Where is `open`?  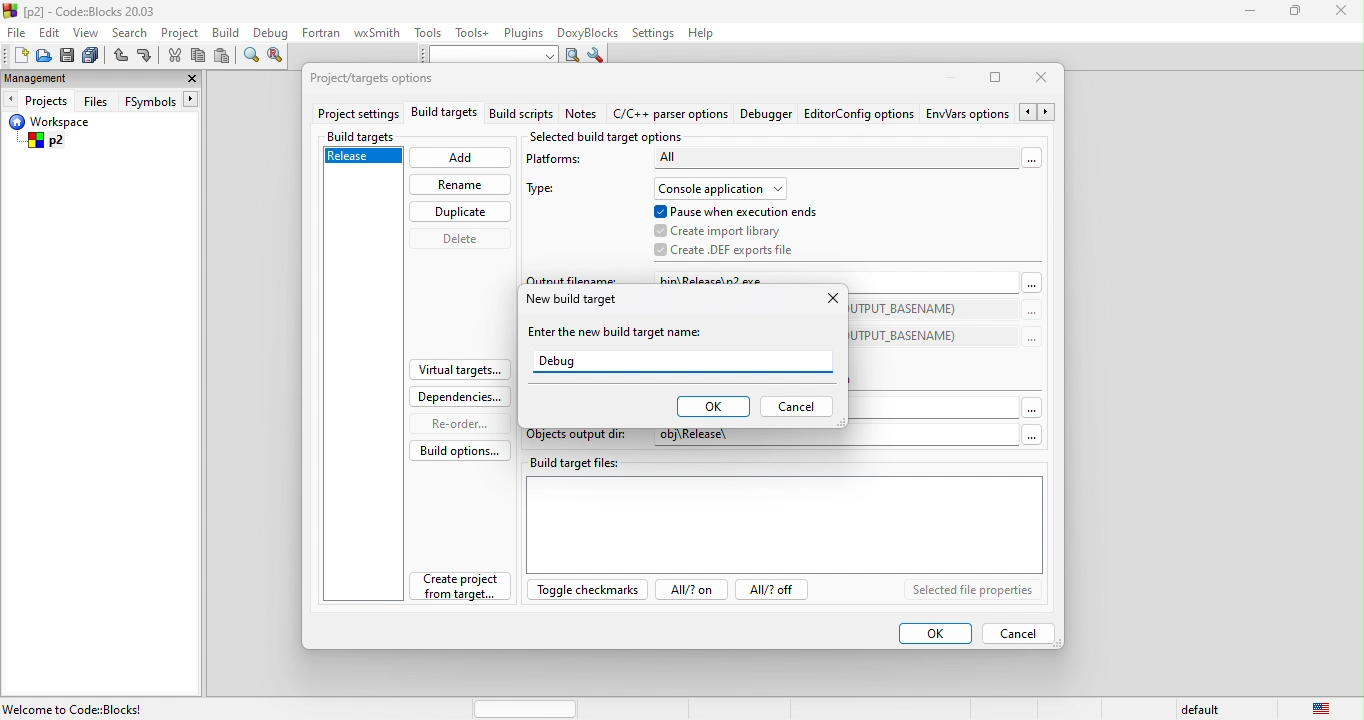 open is located at coordinates (44, 56).